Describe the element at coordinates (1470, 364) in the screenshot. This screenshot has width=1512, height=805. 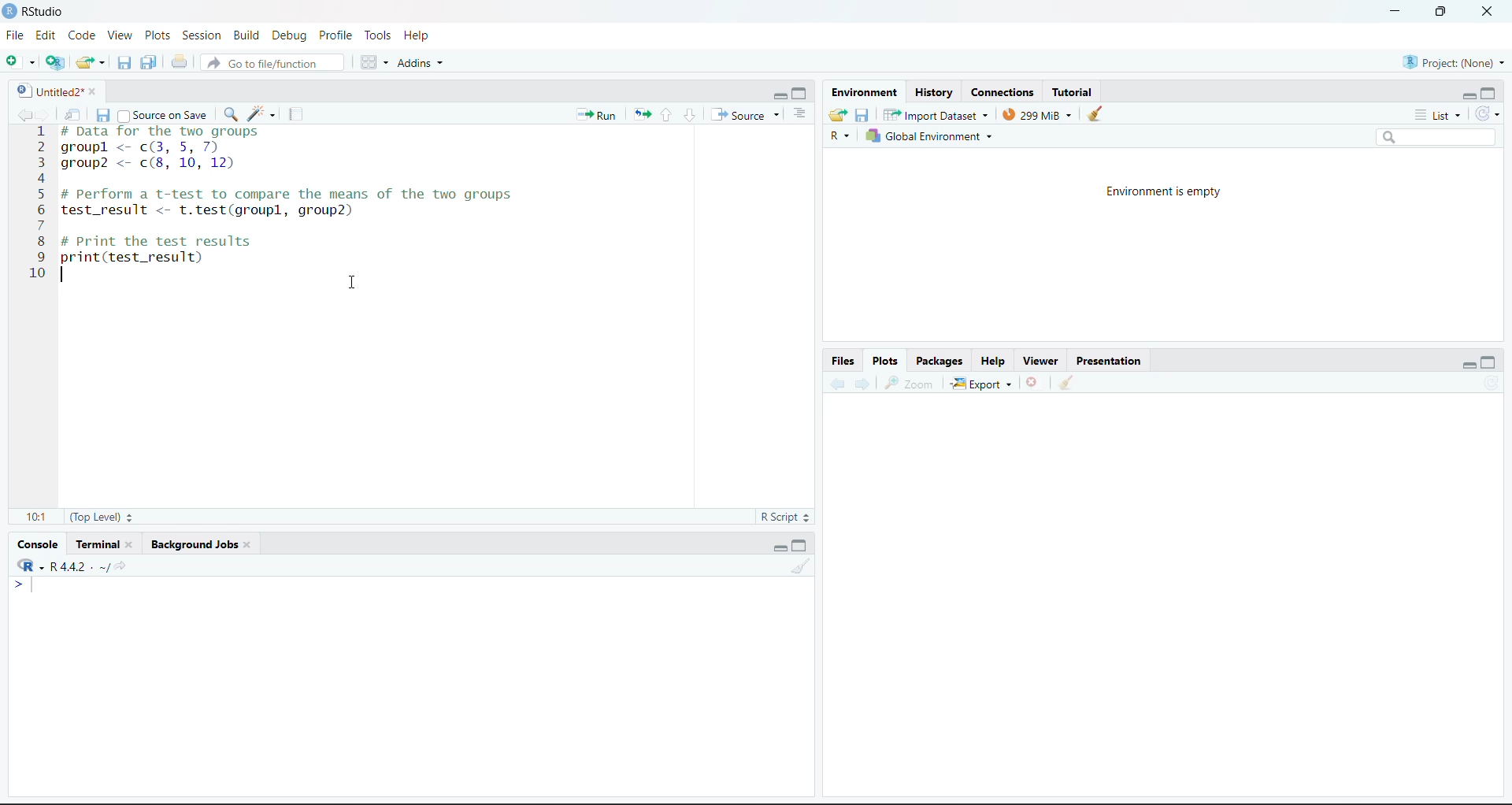
I see `minimize` at that location.